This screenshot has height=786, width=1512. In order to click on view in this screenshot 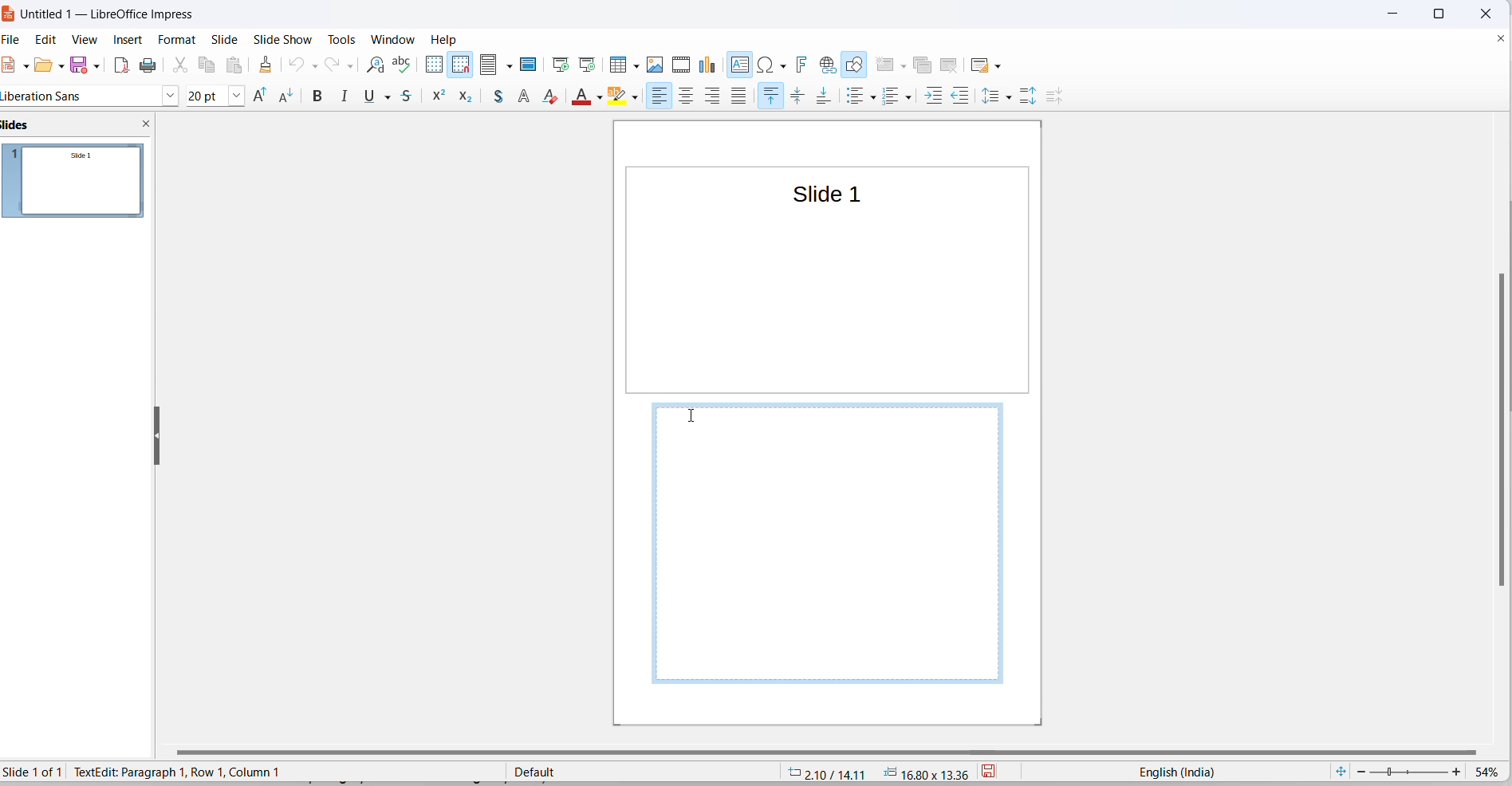, I will do `click(86, 41)`.